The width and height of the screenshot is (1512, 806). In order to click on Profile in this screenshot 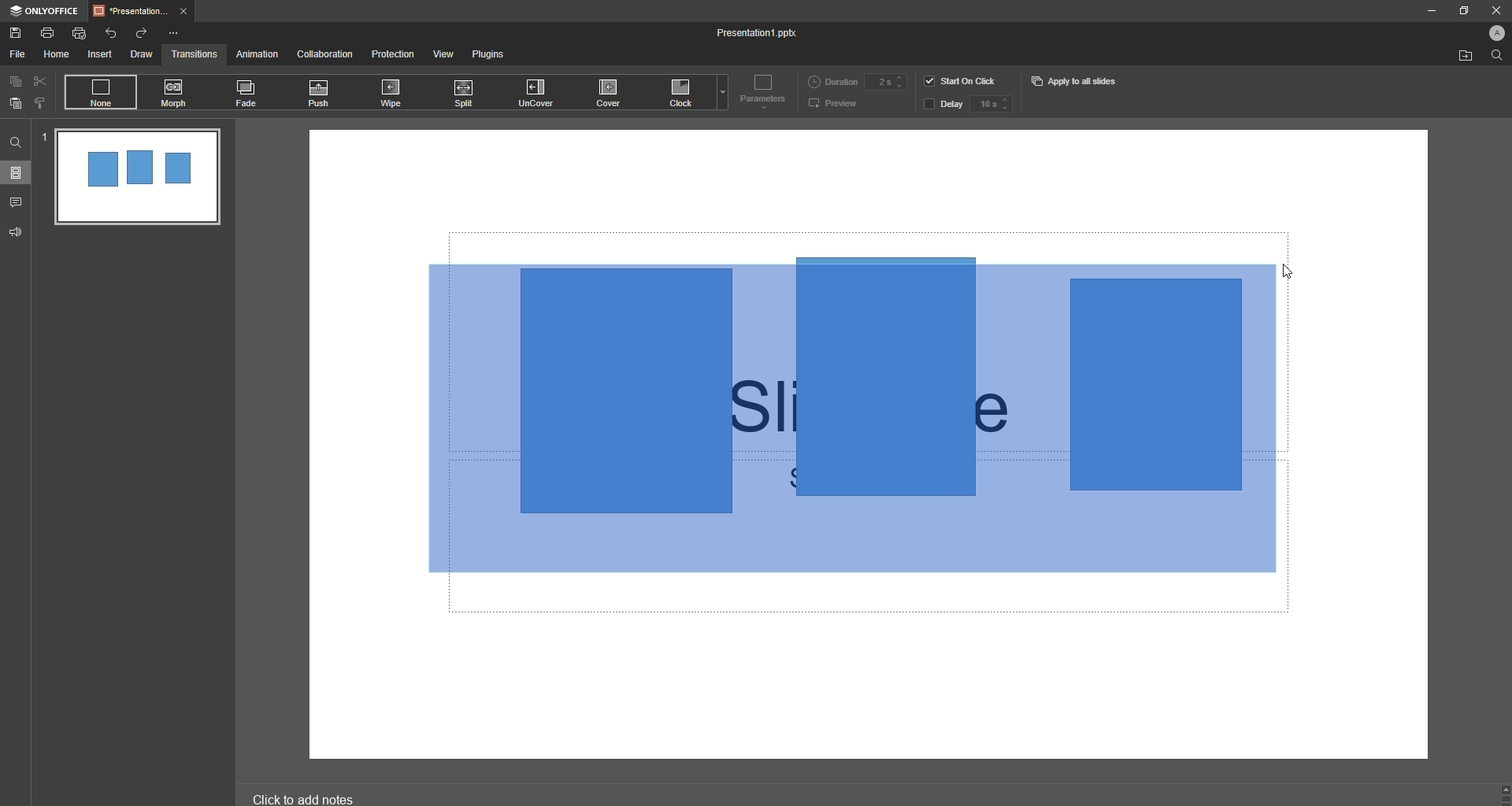, I will do `click(1489, 31)`.